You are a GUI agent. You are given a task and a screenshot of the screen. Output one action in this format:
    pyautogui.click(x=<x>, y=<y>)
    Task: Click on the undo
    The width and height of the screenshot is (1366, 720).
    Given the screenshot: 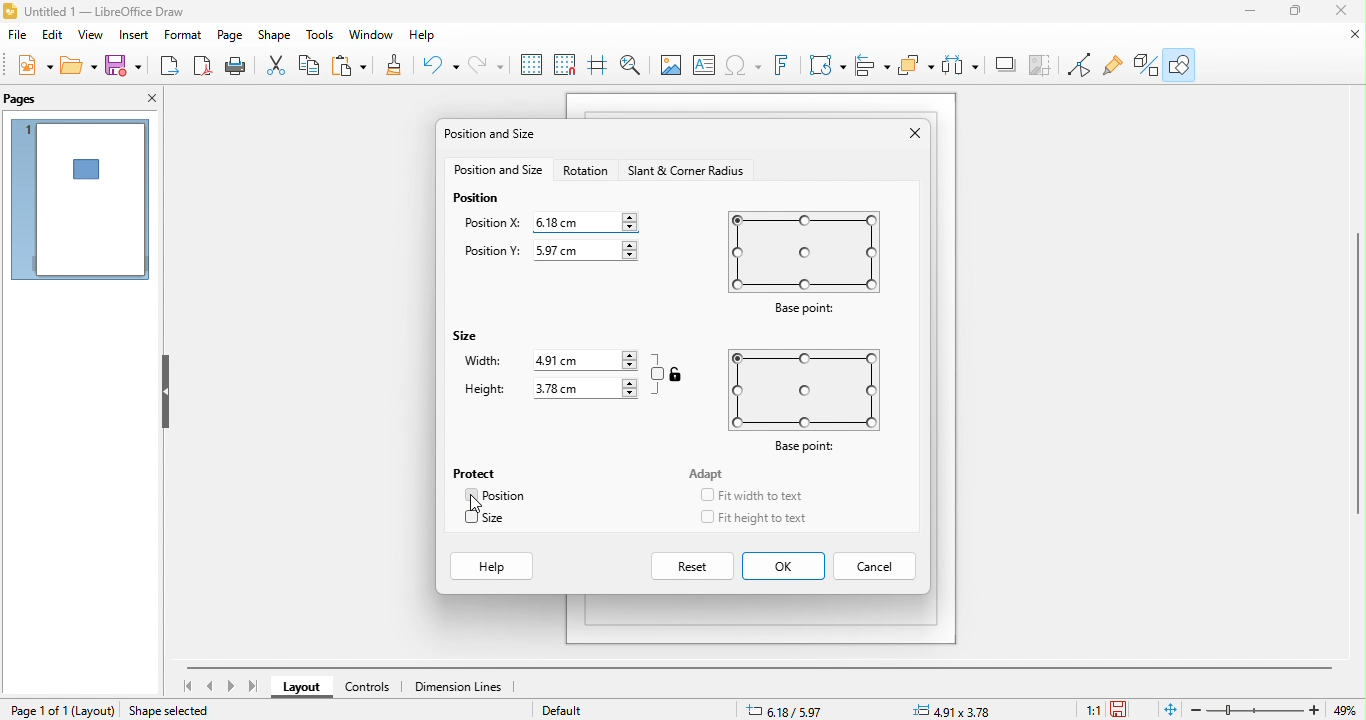 What is the action you would take?
    pyautogui.click(x=443, y=66)
    